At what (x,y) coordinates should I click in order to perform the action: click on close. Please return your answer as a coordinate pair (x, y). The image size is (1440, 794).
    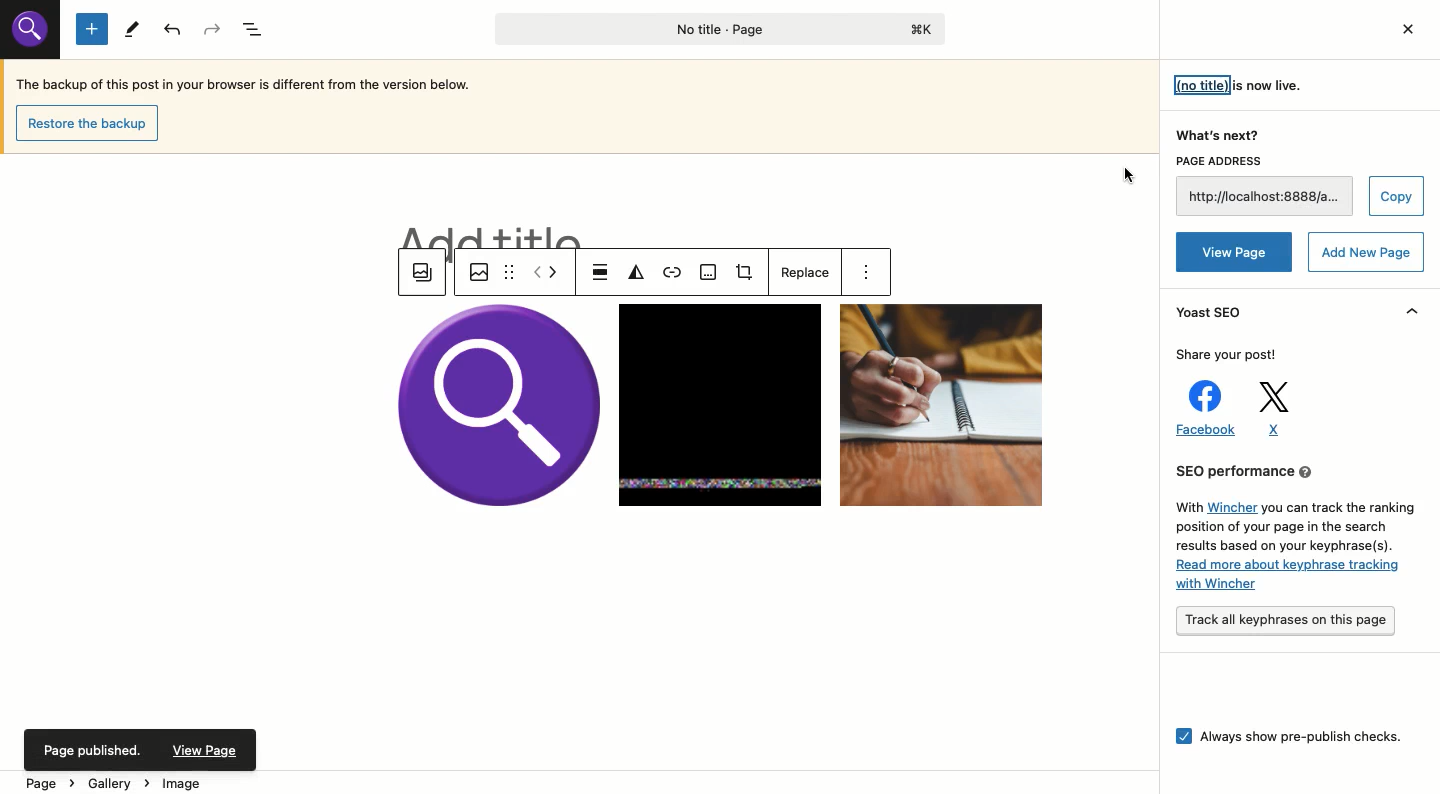
    Looking at the image, I should click on (1403, 31).